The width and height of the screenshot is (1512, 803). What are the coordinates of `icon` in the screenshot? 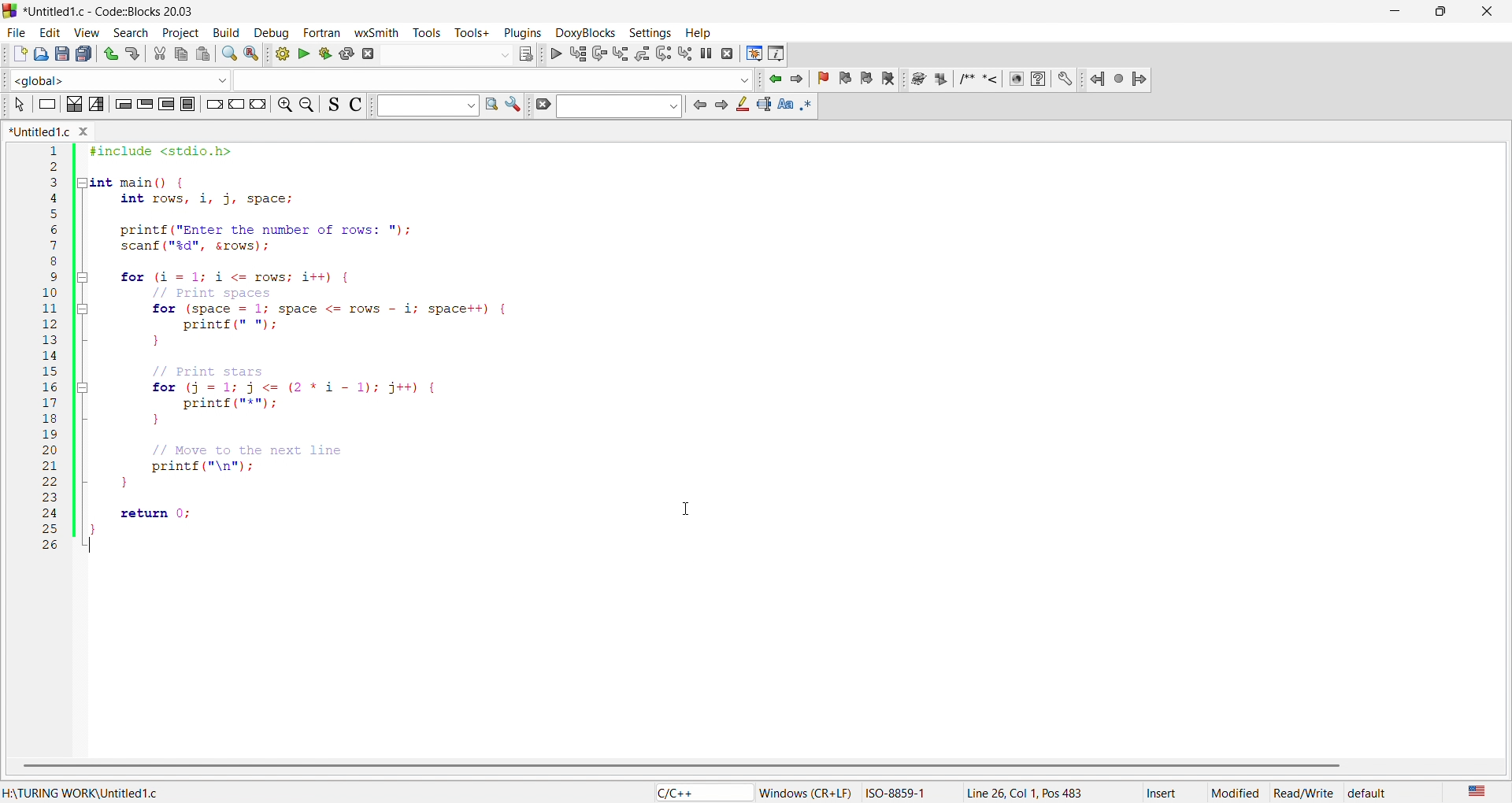 It's located at (19, 105).